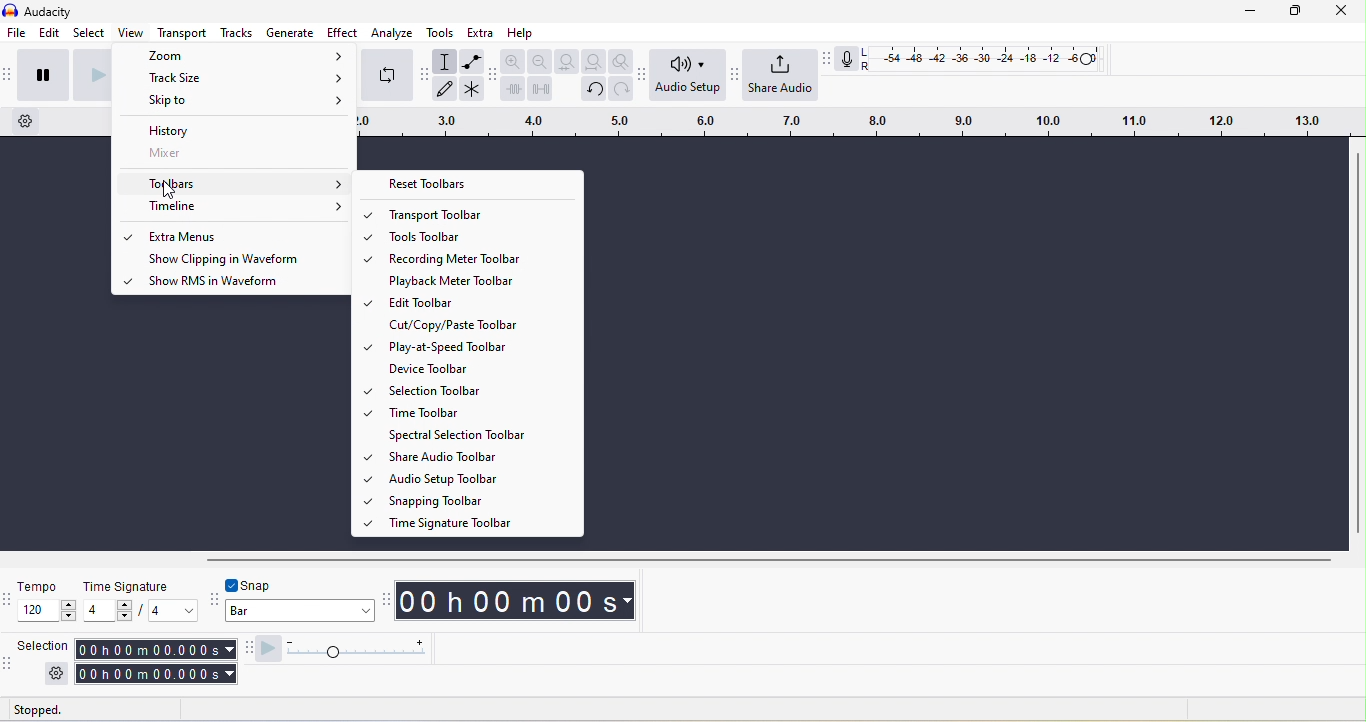 The image size is (1366, 722). What do you see at coordinates (128, 238) in the screenshot?
I see `option enabled` at bounding box center [128, 238].